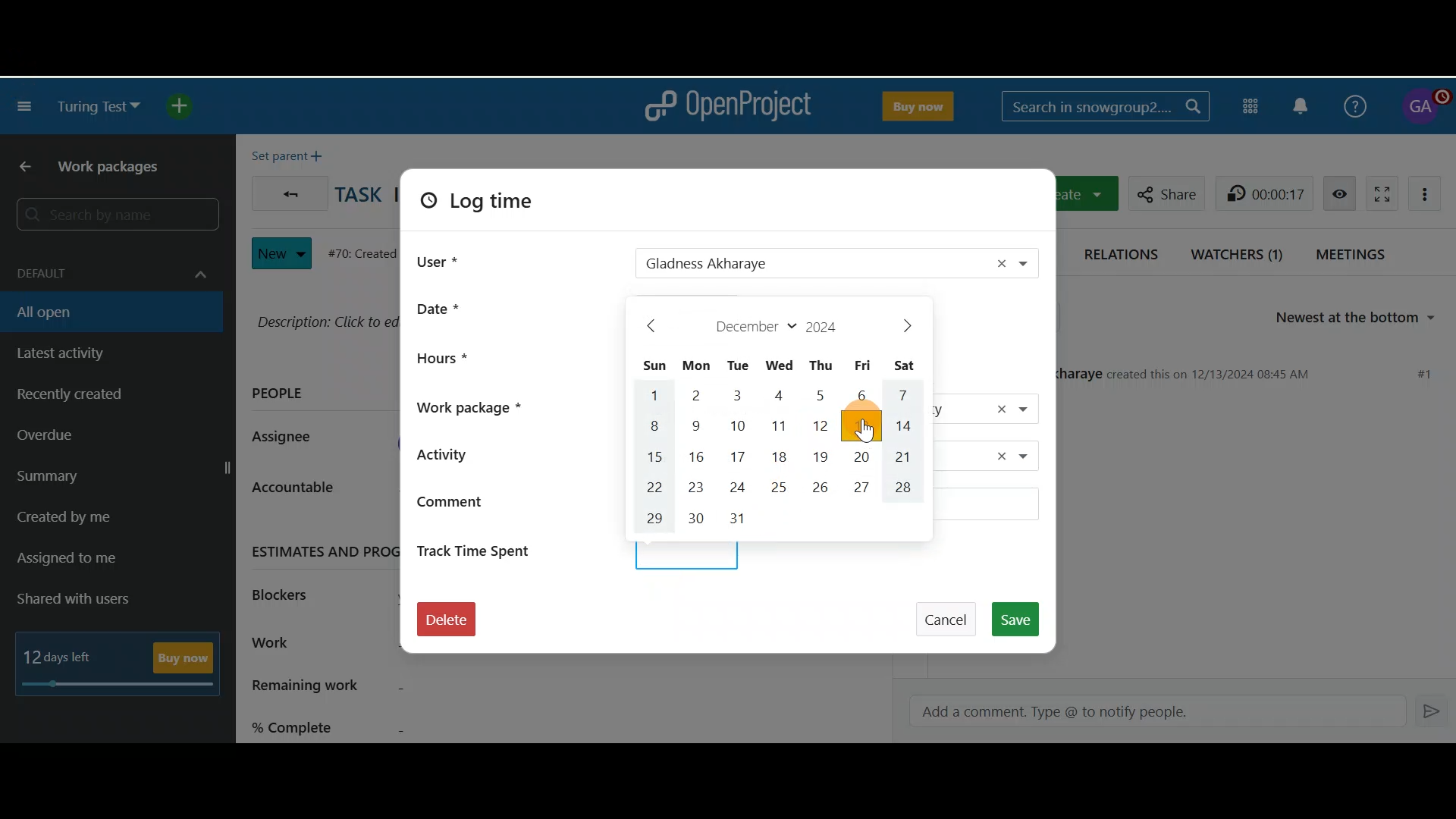 This screenshot has height=819, width=1456. What do you see at coordinates (83, 354) in the screenshot?
I see `Latest activity` at bounding box center [83, 354].